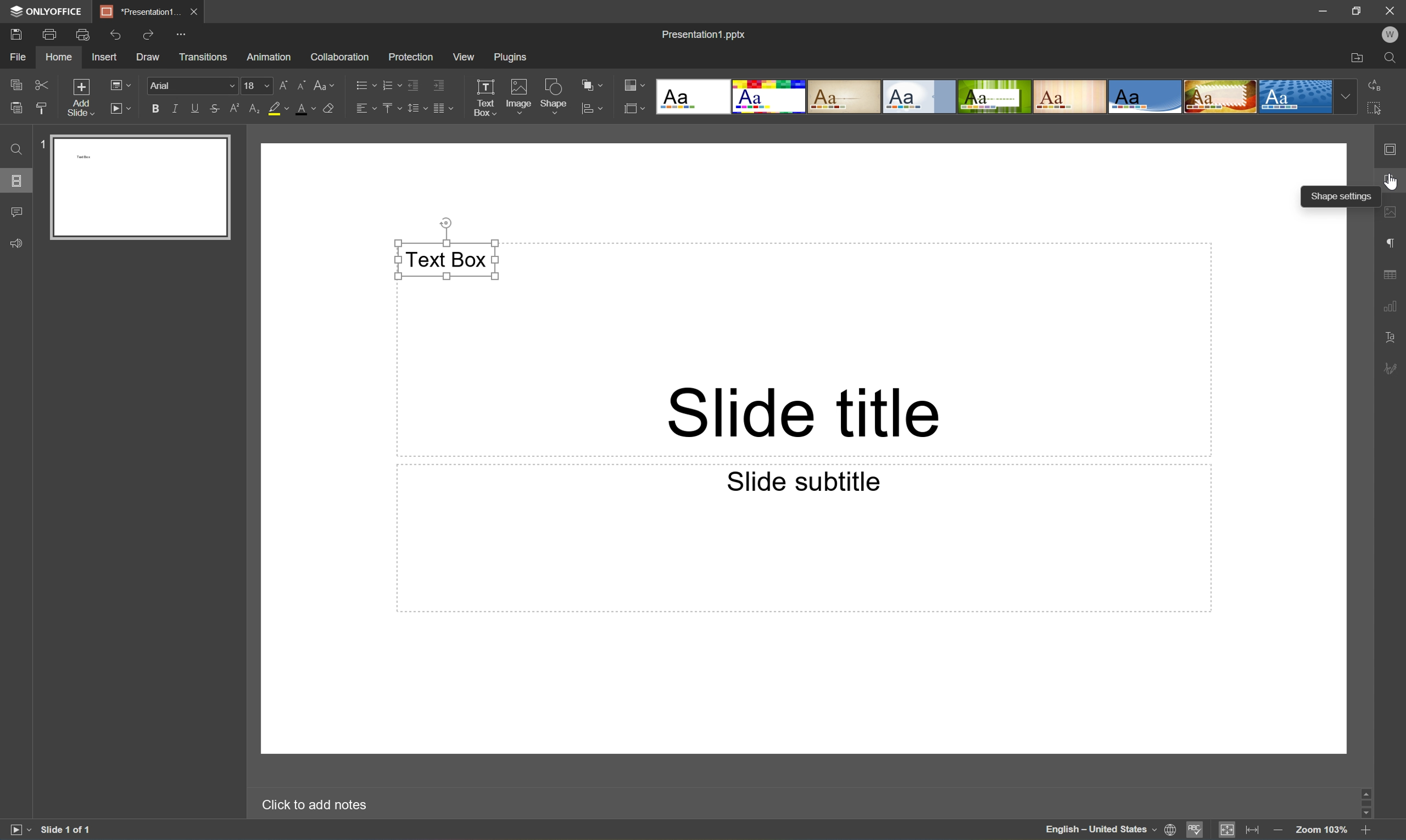 Image resolution: width=1406 pixels, height=840 pixels. I want to click on Highlight color, so click(276, 108).